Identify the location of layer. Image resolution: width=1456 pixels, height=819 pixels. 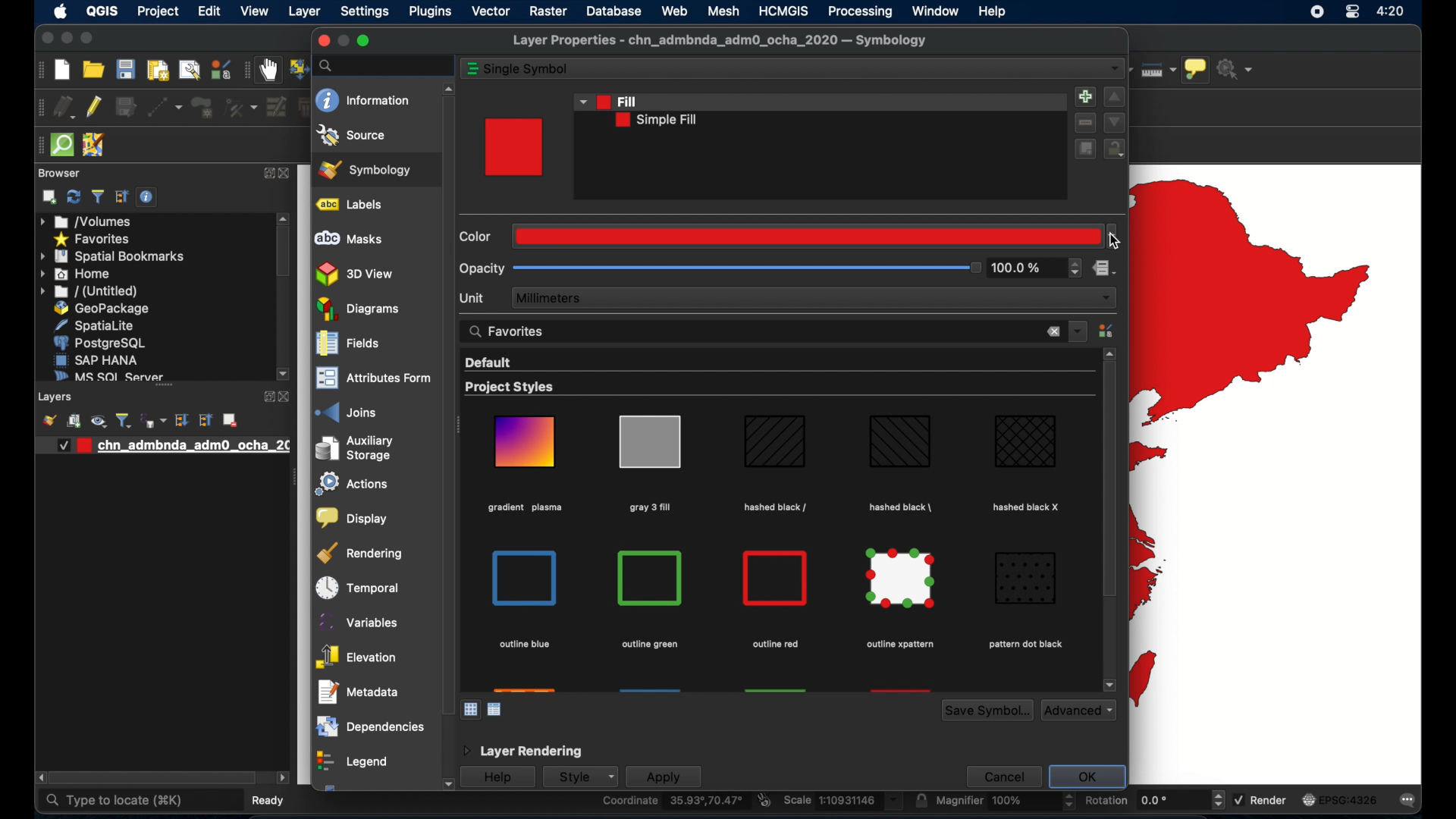
(306, 13).